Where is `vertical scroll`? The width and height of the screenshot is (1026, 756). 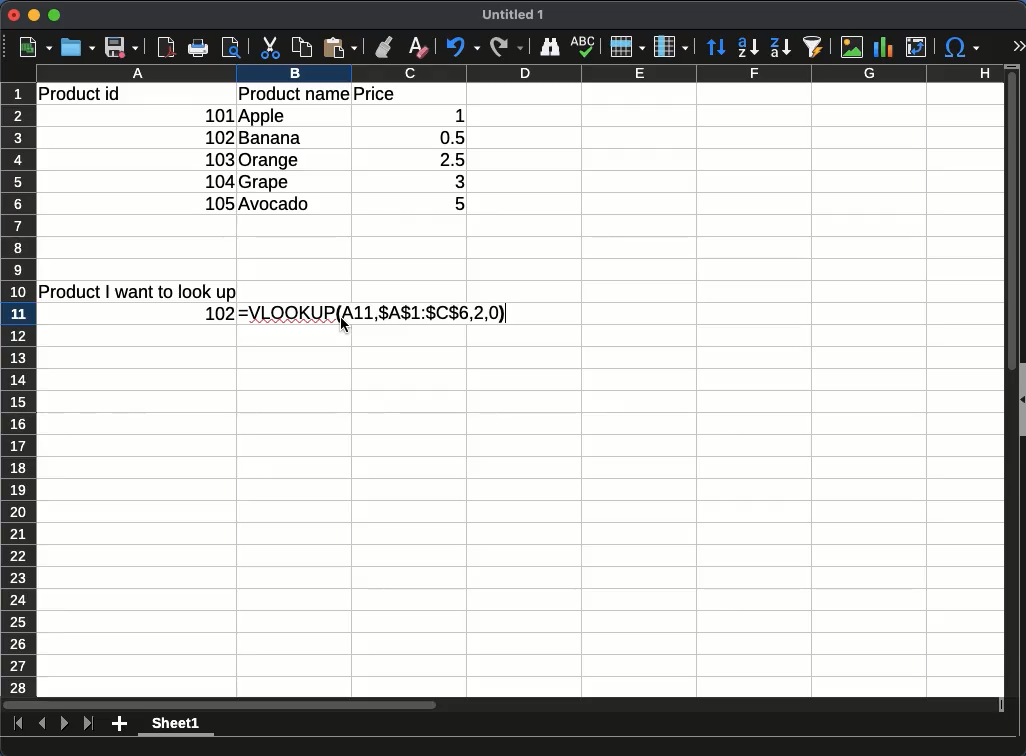
vertical scroll is located at coordinates (1012, 381).